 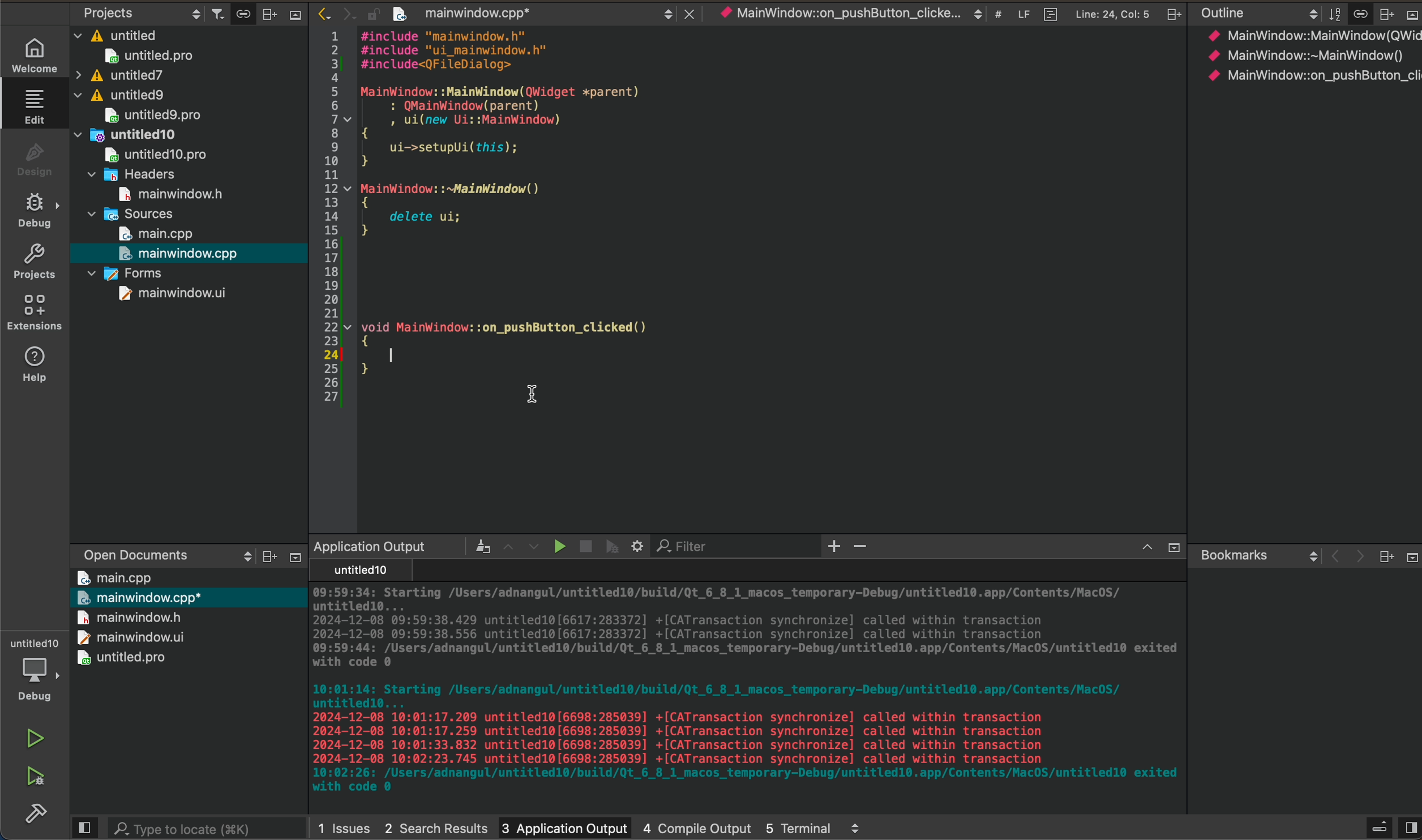 What do you see at coordinates (1410, 15) in the screenshot?
I see `` at bounding box center [1410, 15].